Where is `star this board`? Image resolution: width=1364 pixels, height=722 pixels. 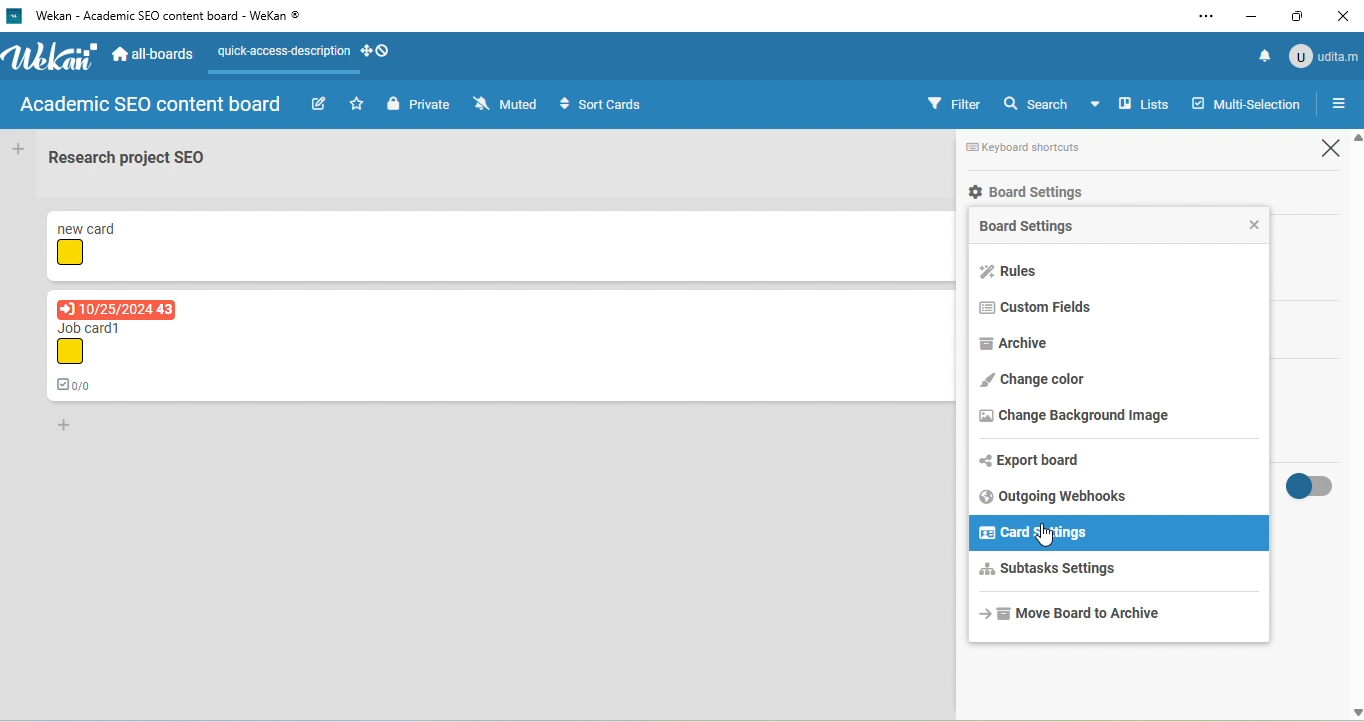
star this board is located at coordinates (357, 104).